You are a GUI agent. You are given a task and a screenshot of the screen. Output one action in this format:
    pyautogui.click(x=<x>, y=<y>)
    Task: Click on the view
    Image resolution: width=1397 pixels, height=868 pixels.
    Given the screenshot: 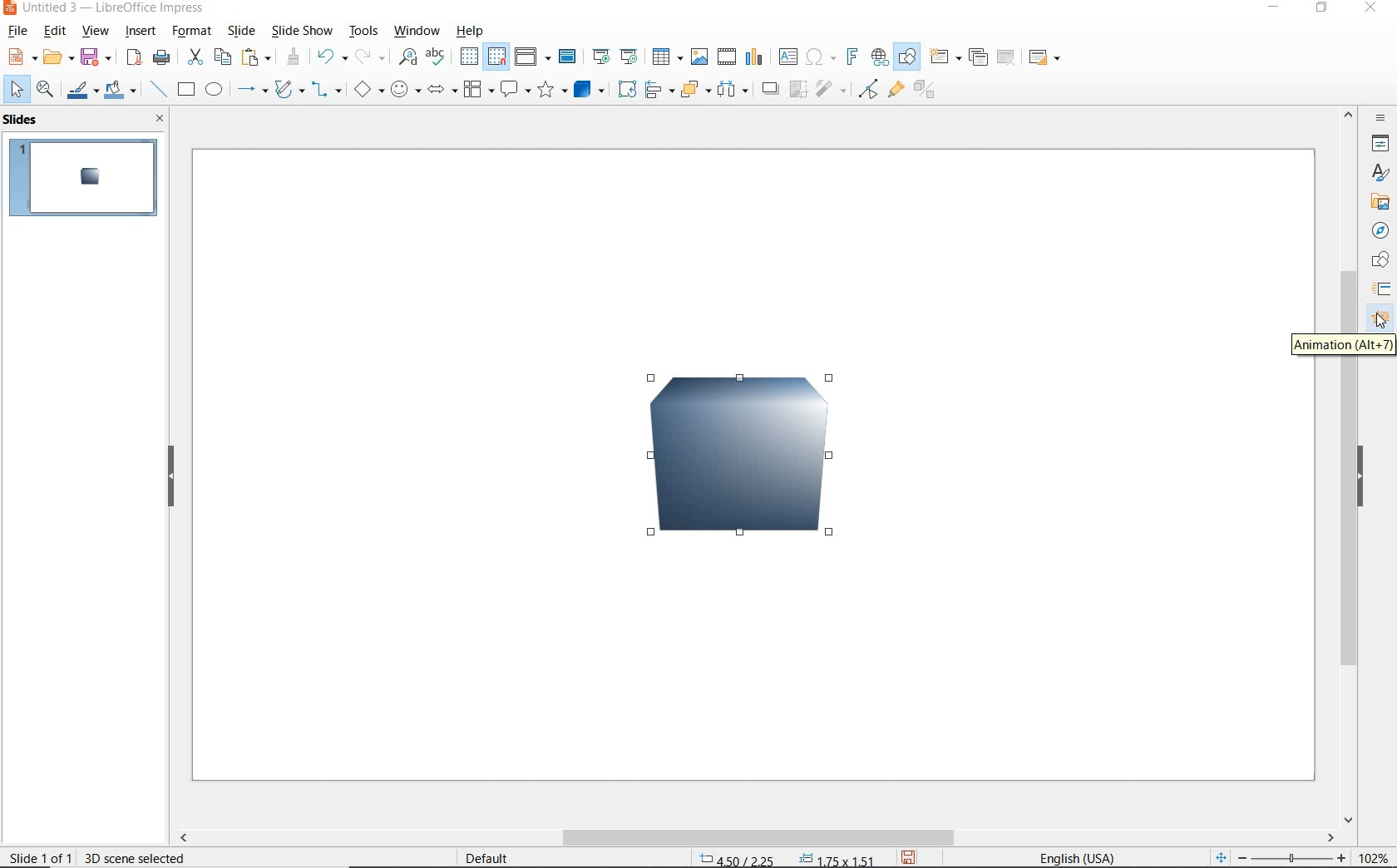 What is the action you would take?
    pyautogui.click(x=96, y=32)
    